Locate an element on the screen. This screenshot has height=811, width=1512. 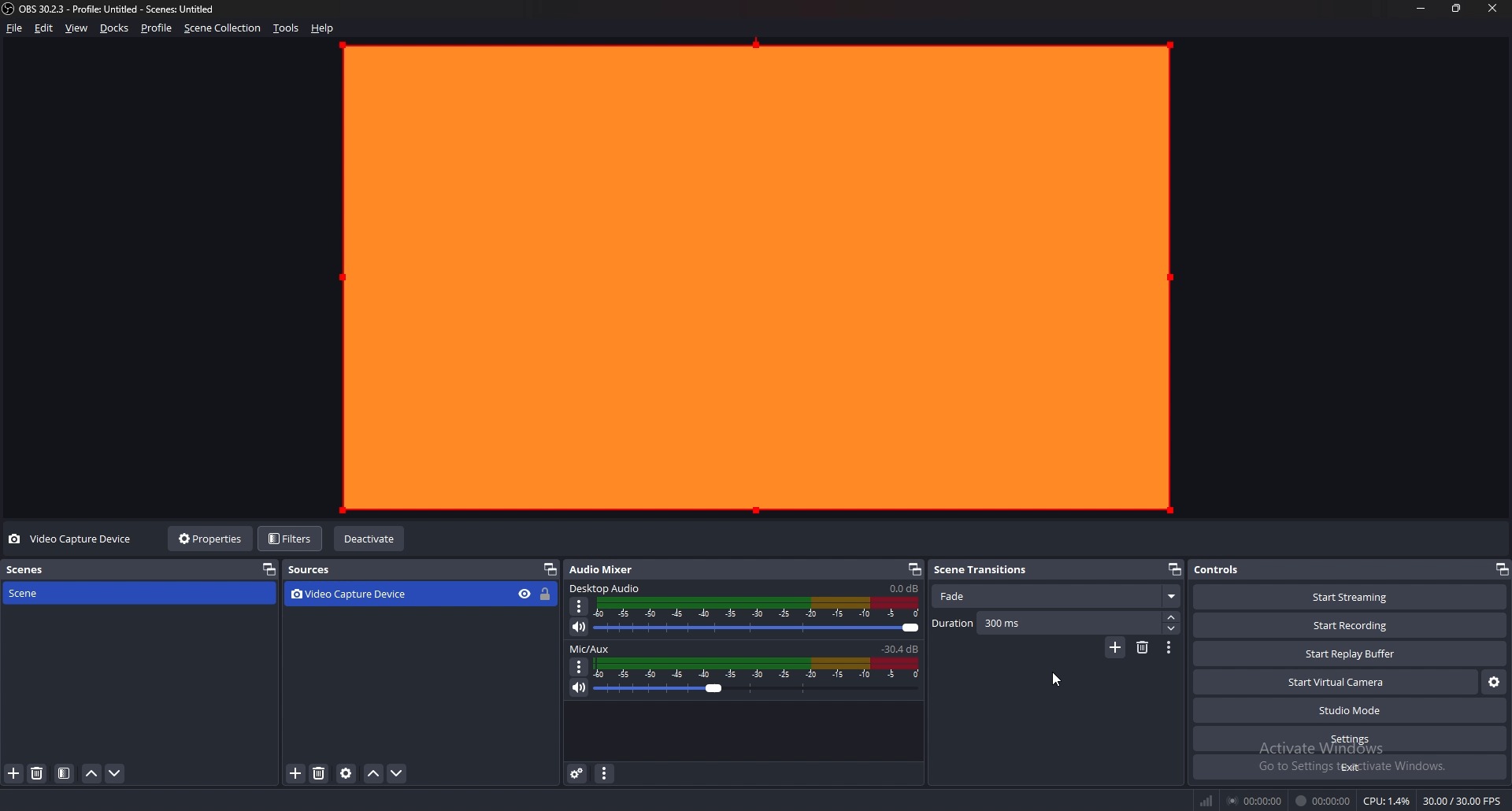
scene is located at coordinates (73, 593).